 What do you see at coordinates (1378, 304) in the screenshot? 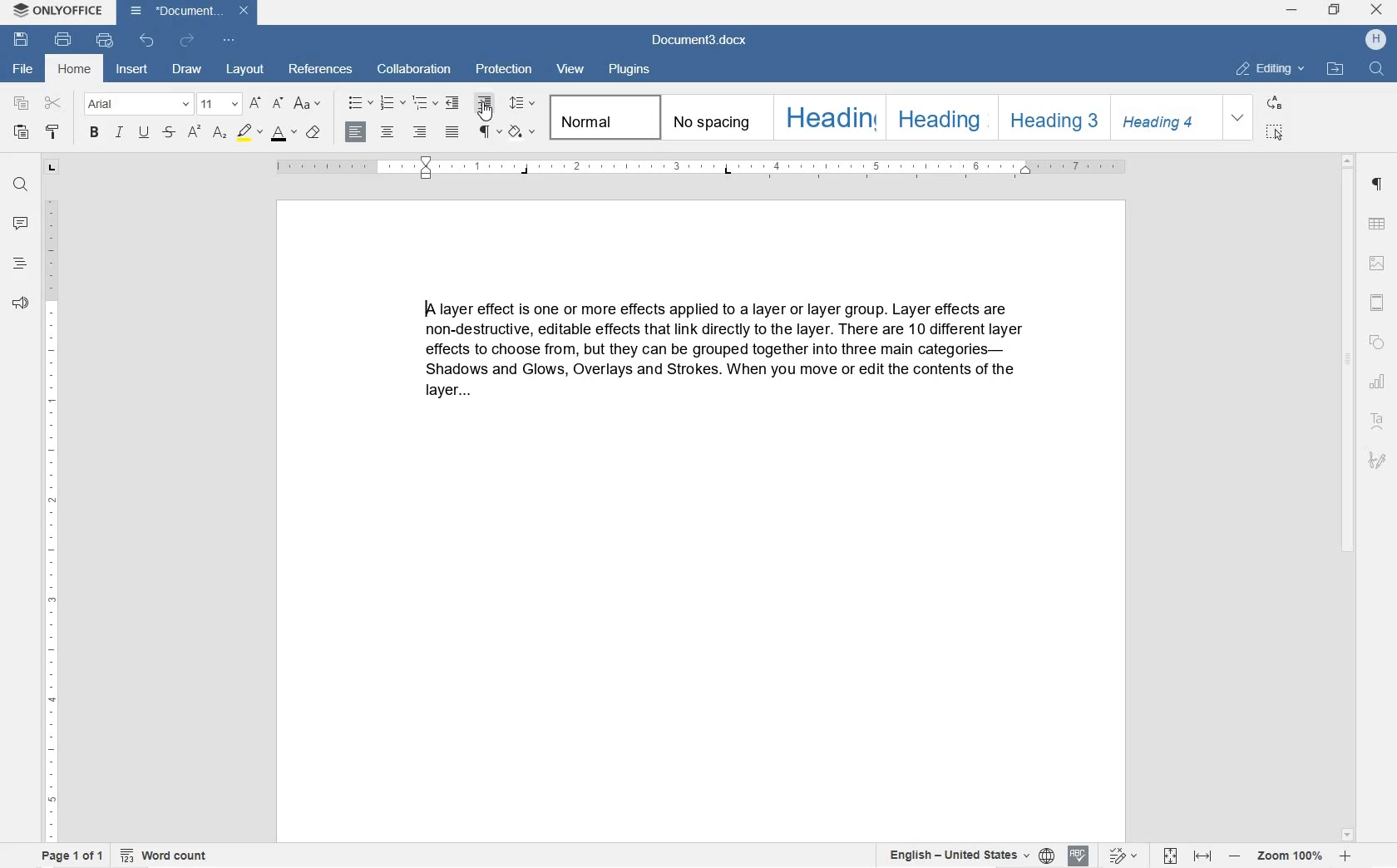
I see `HEADERS & FOOTERS` at bounding box center [1378, 304].